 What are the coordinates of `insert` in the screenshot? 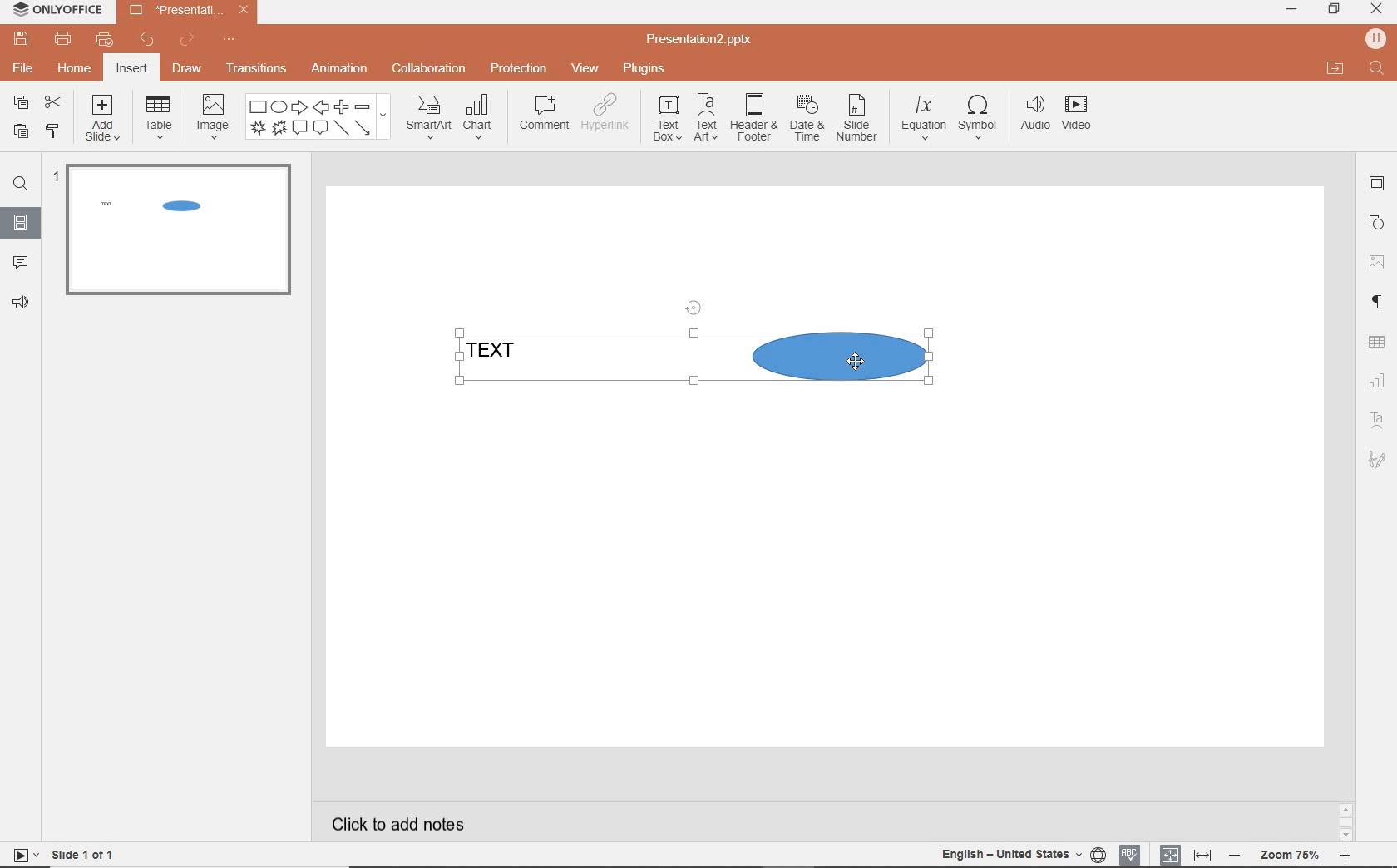 It's located at (133, 69).